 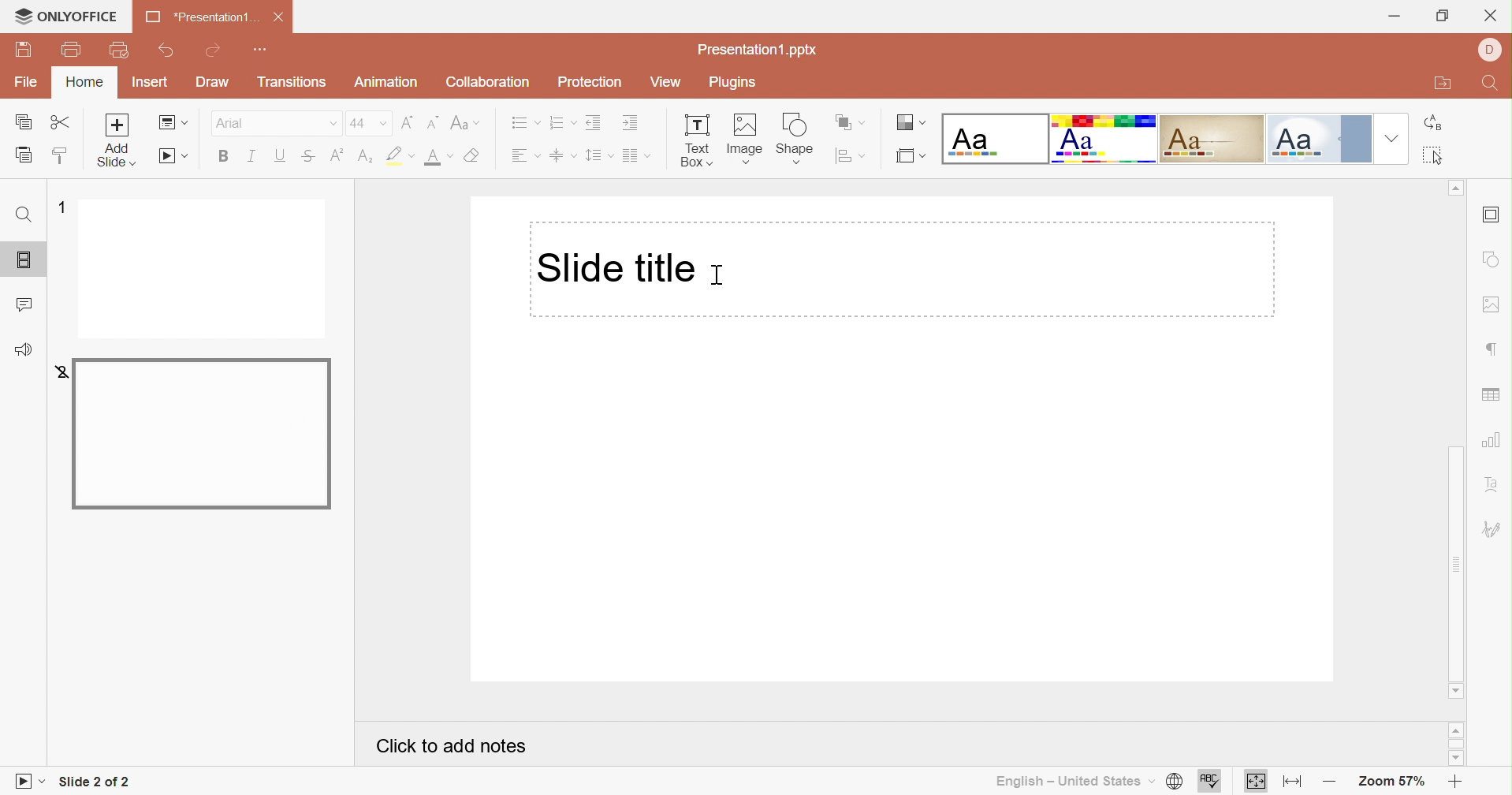 What do you see at coordinates (23, 121) in the screenshot?
I see `Copy` at bounding box center [23, 121].